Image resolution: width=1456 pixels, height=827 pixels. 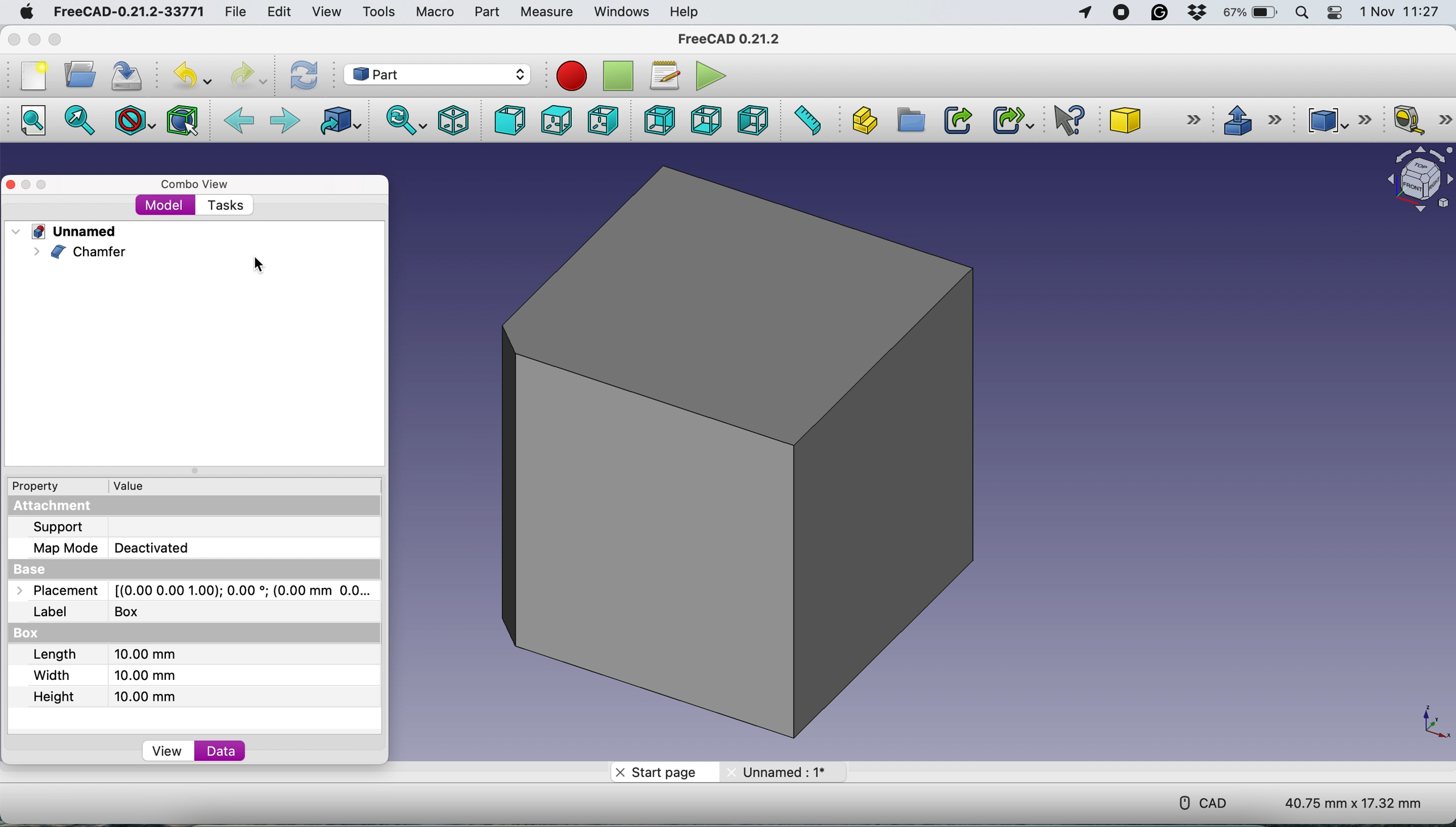 I want to click on start page, so click(x=658, y=772).